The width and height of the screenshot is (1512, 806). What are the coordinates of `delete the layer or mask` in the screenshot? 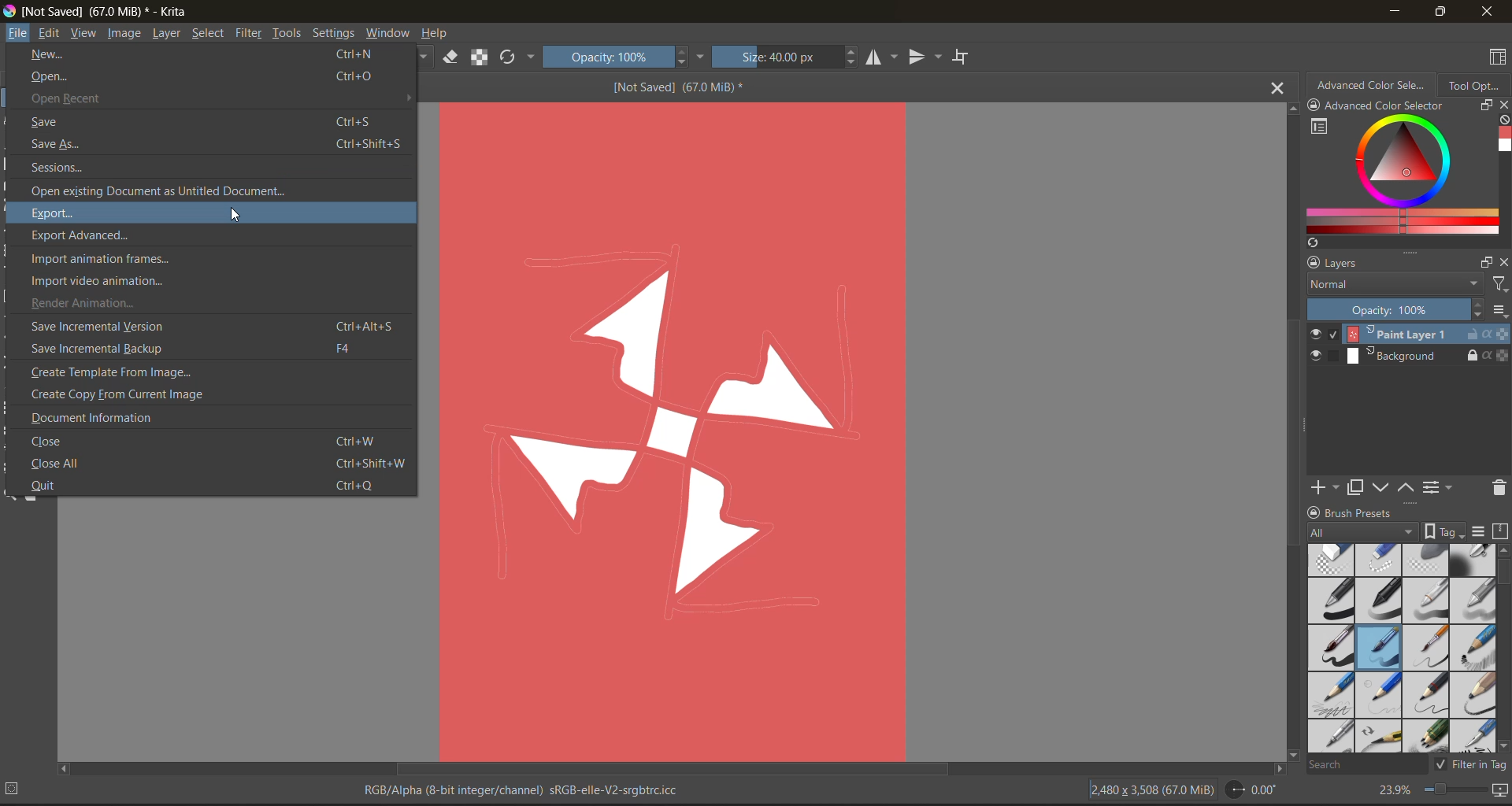 It's located at (1494, 490).